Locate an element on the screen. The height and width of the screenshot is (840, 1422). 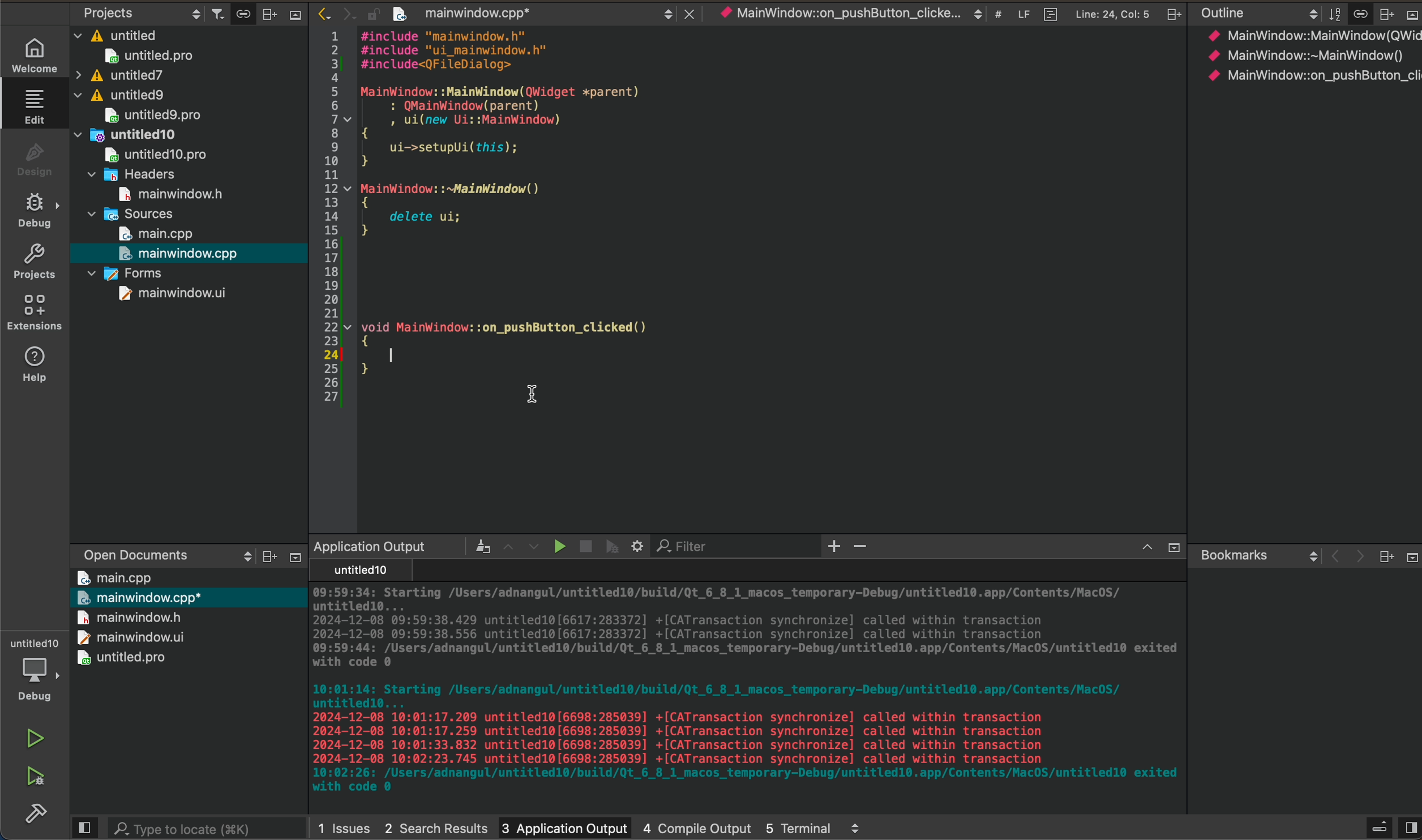
mainwindow.cpp is located at coordinates (181, 253).